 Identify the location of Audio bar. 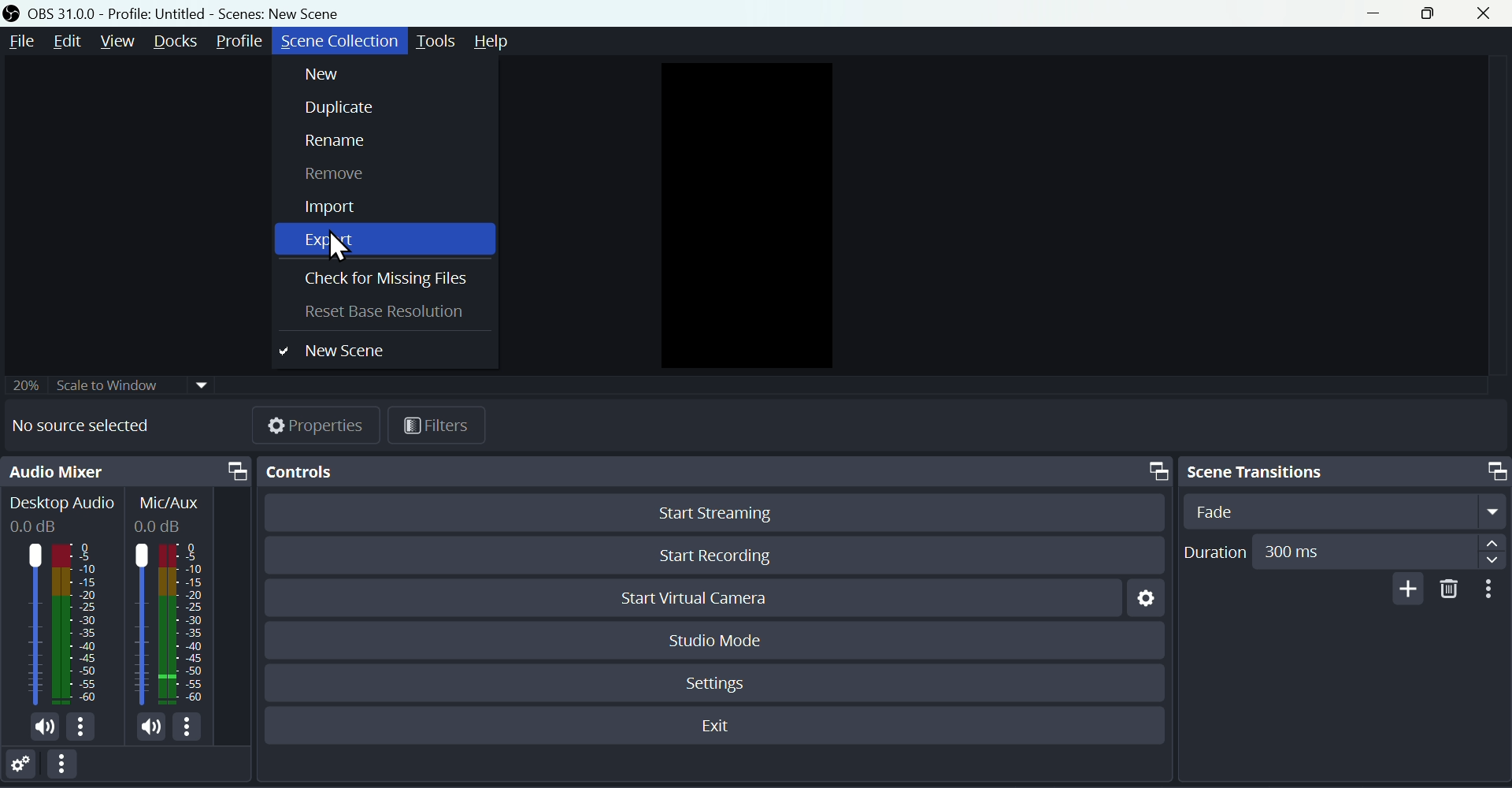
(57, 623).